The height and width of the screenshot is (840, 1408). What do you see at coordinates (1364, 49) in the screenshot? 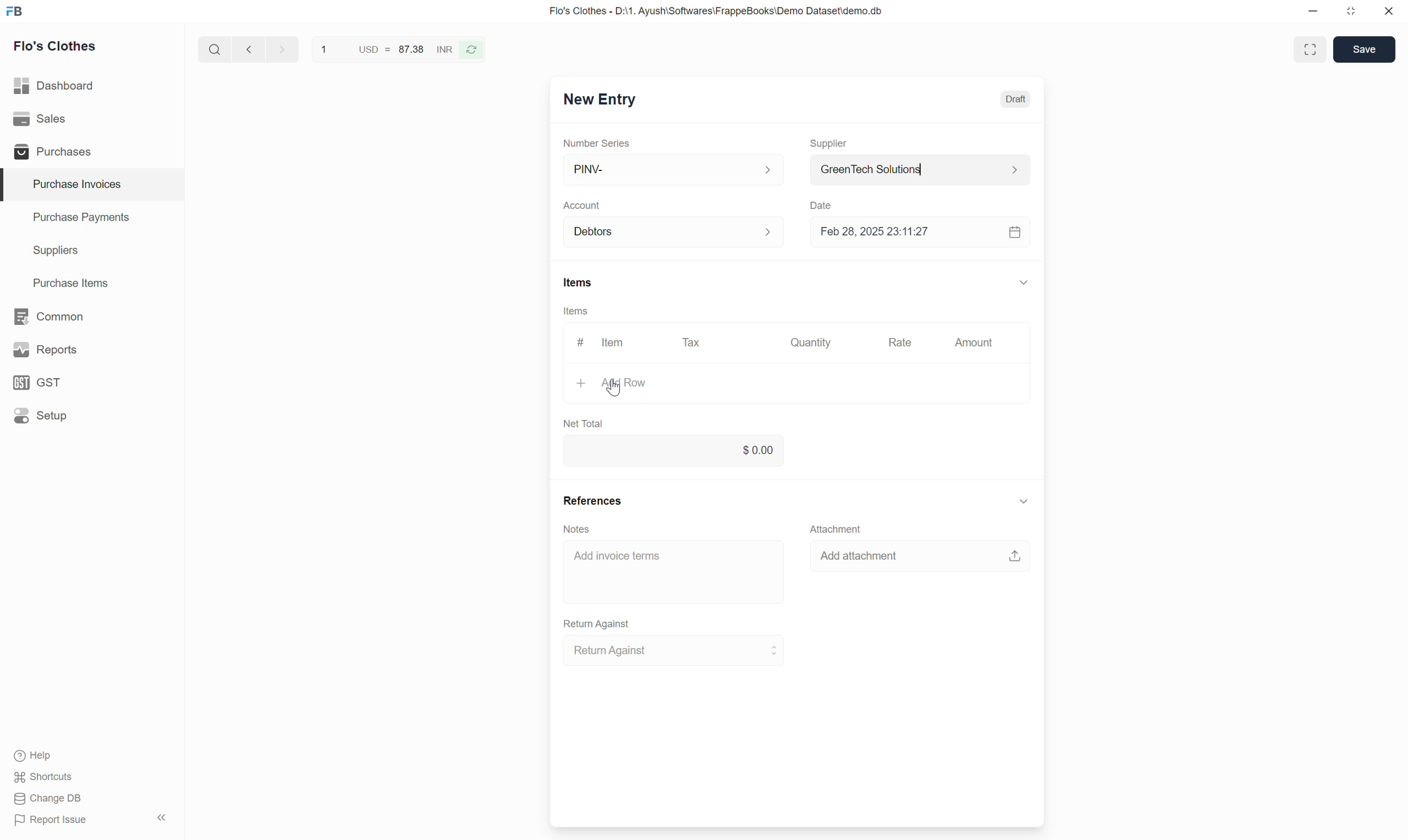
I see `Save` at bounding box center [1364, 49].